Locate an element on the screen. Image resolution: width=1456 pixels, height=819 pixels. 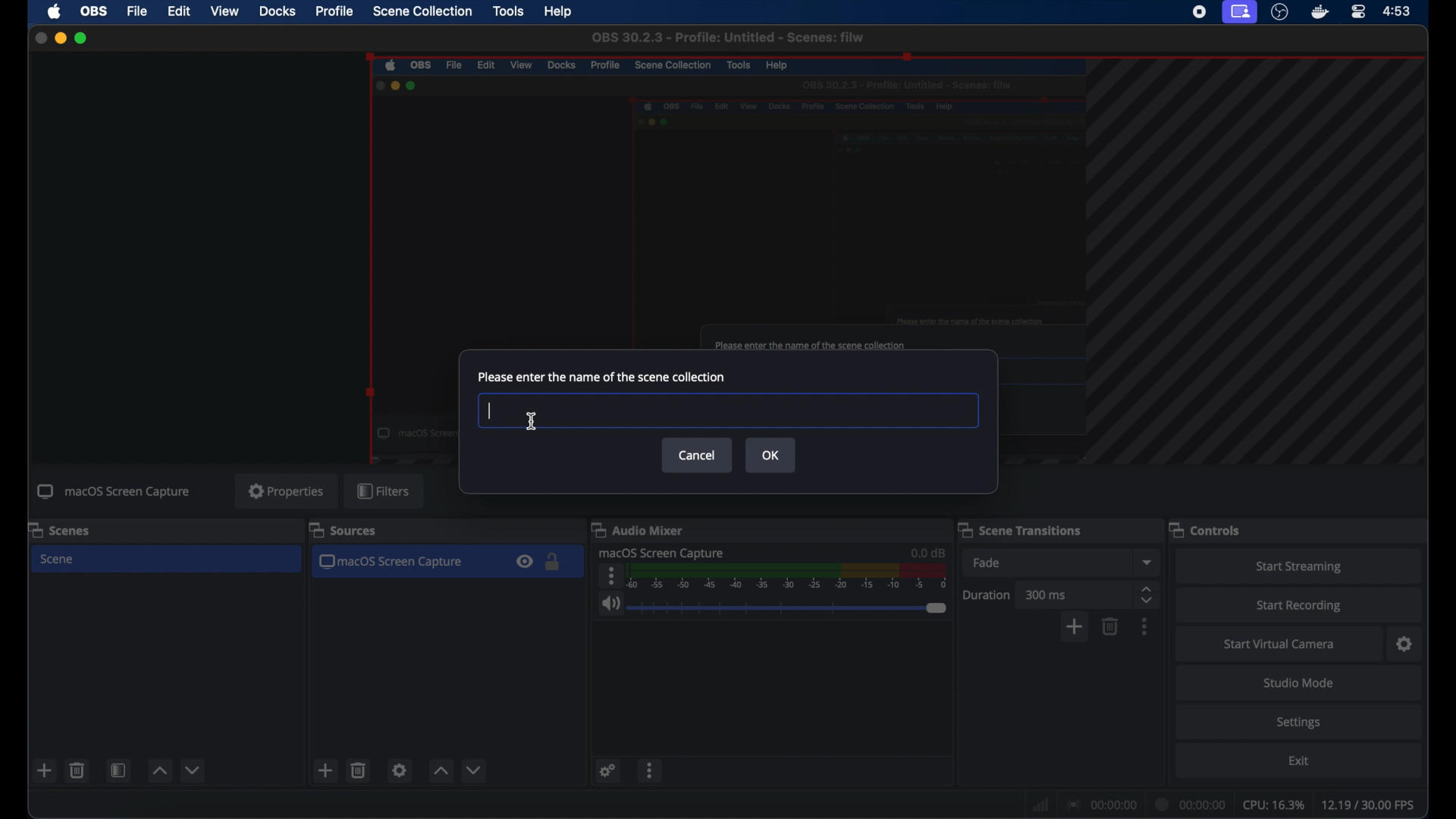
edit is located at coordinates (179, 12).